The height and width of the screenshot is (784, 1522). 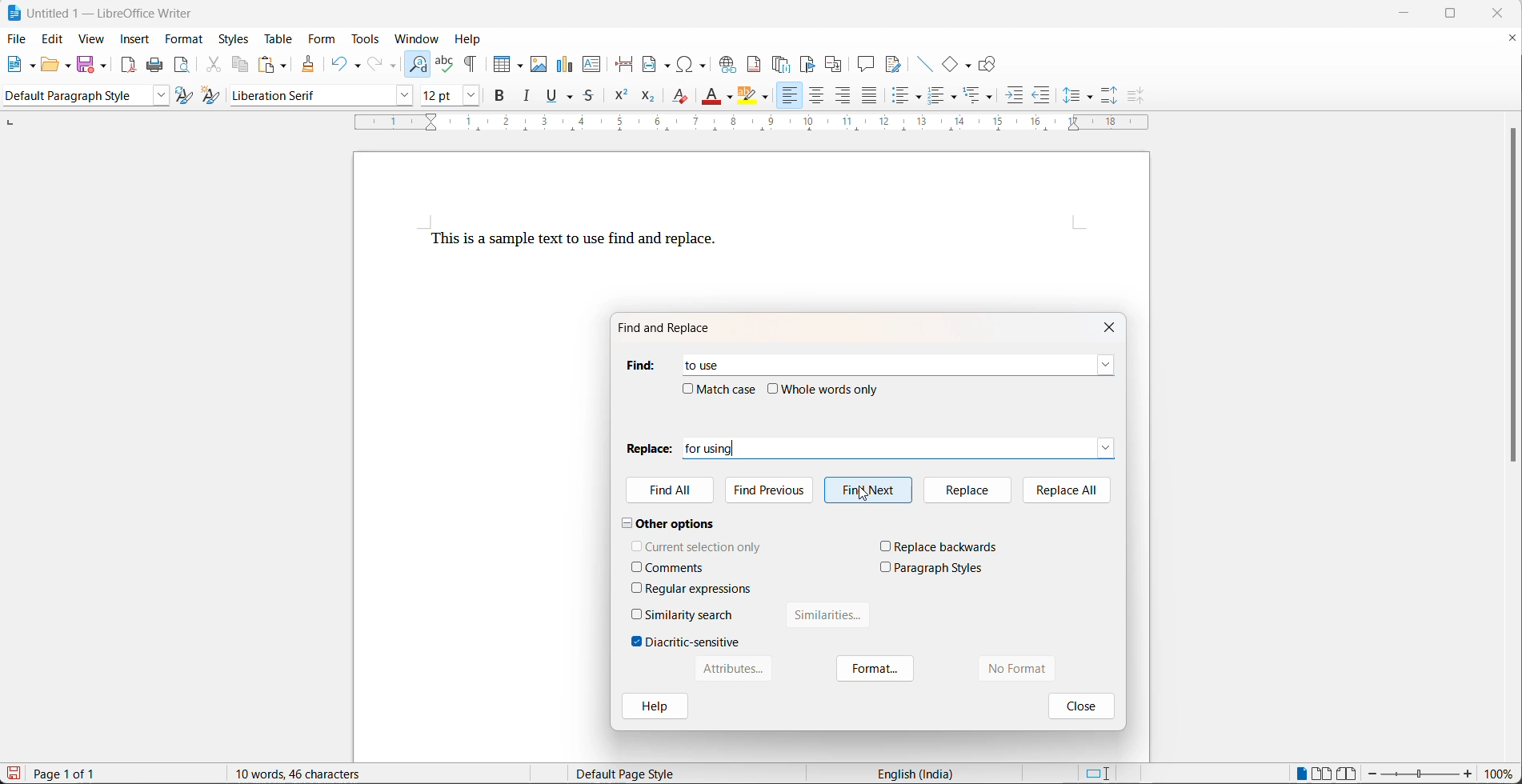 I want to click on toggle ordered list options, so click(x=956, y=98).